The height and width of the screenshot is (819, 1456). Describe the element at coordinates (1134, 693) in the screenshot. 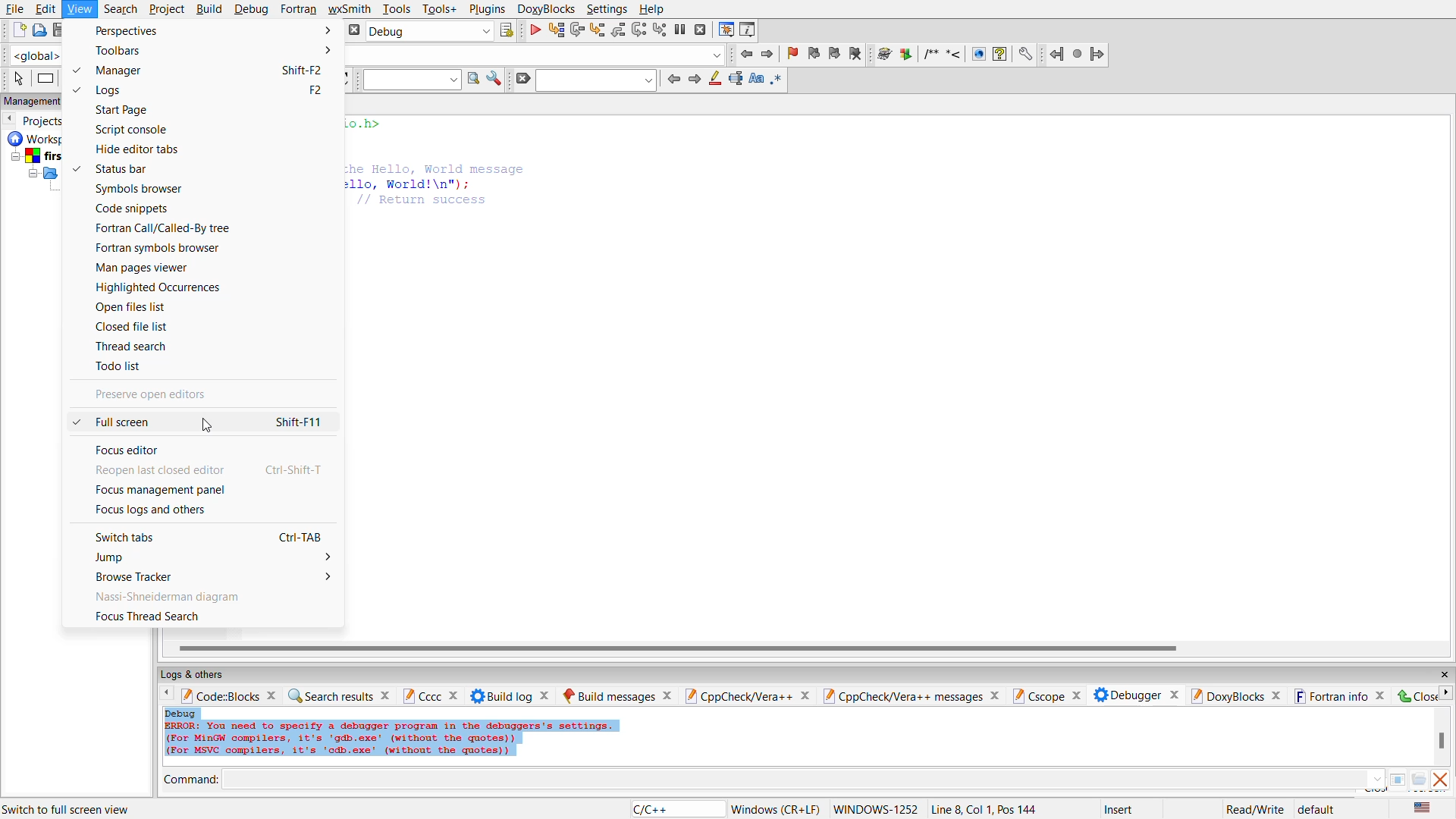

I see `debugger` at that location.